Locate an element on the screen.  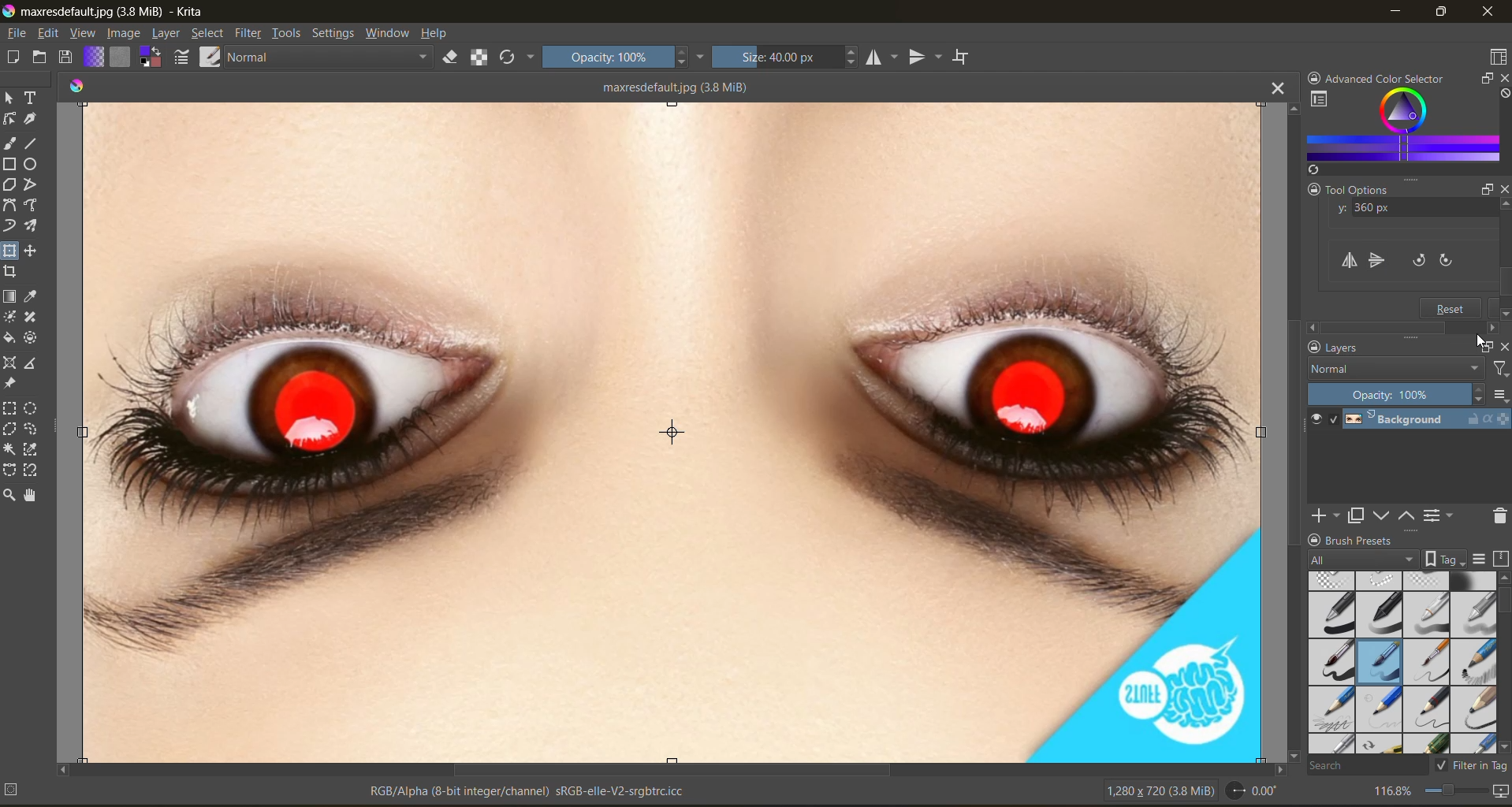
tool is located at coordinates (35, 184).